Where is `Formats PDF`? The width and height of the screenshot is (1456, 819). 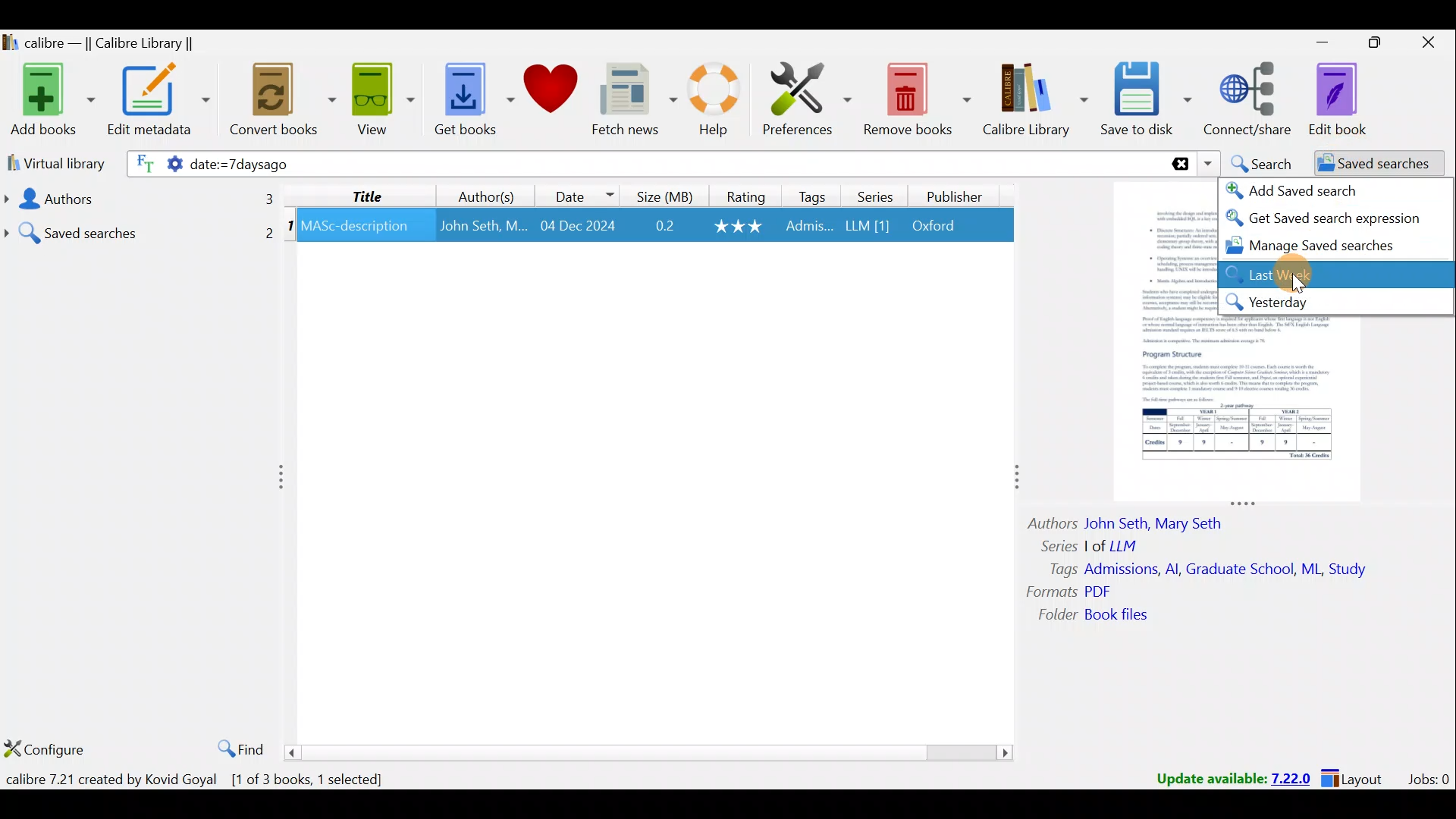
Formats PDF is located at coordinates (1069, 591).